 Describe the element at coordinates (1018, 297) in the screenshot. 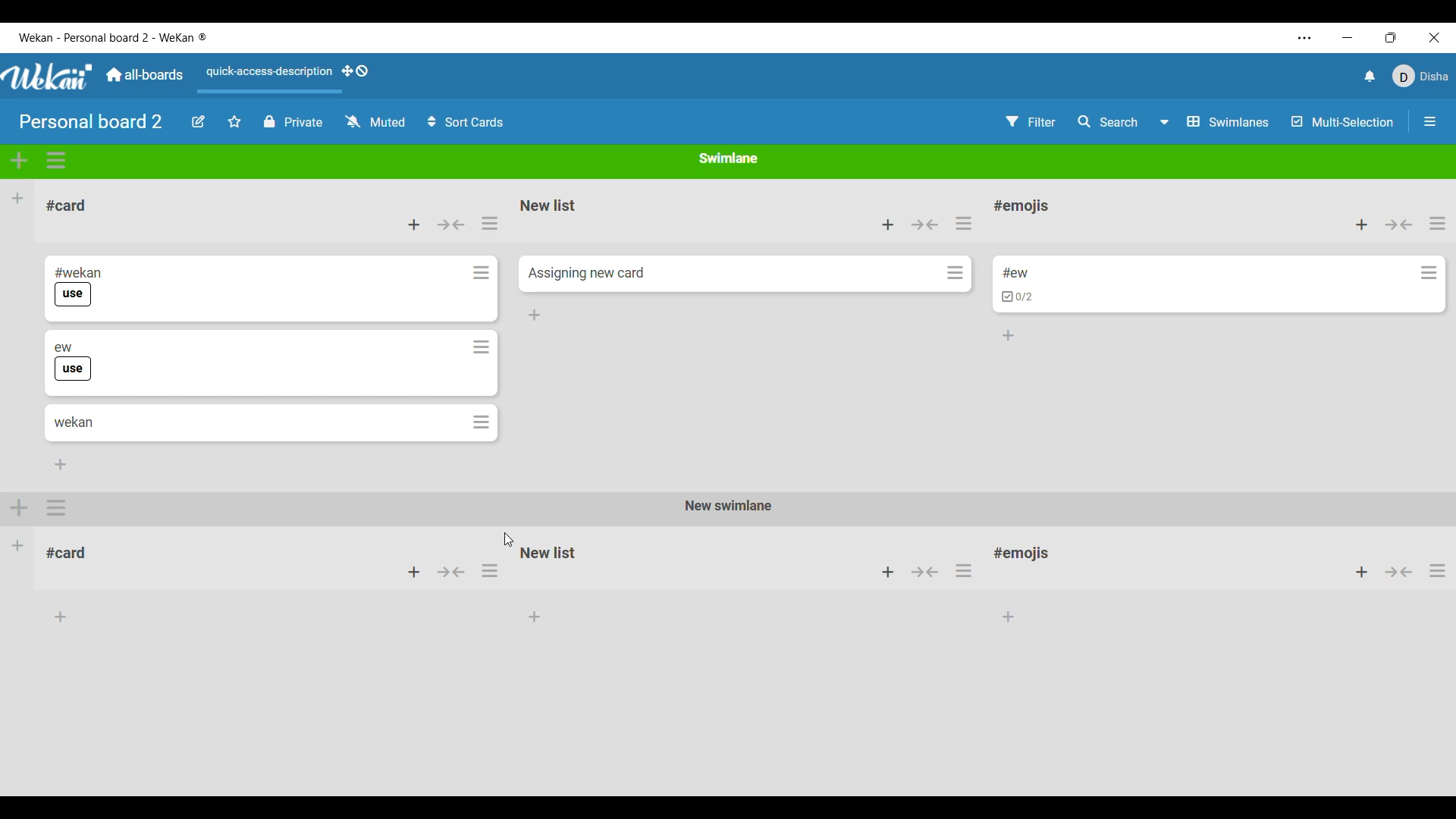

I see `Indicates card has cheklist` at that location.